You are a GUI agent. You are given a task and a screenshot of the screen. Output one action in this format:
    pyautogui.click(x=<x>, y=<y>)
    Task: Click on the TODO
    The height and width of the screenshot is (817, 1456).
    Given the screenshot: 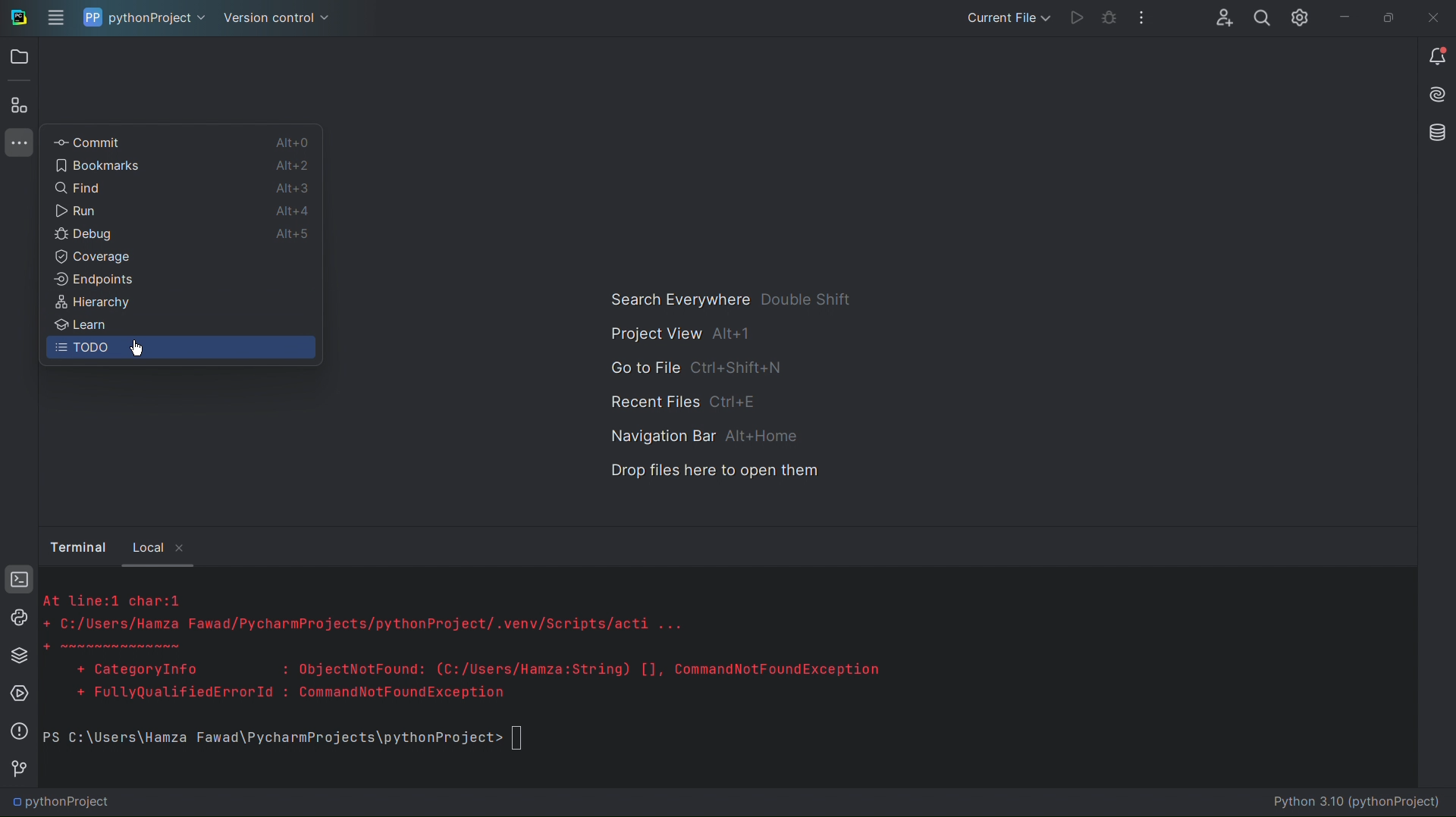 What is the action you would take?
    pyautogui.click(x=80, y=350)
    